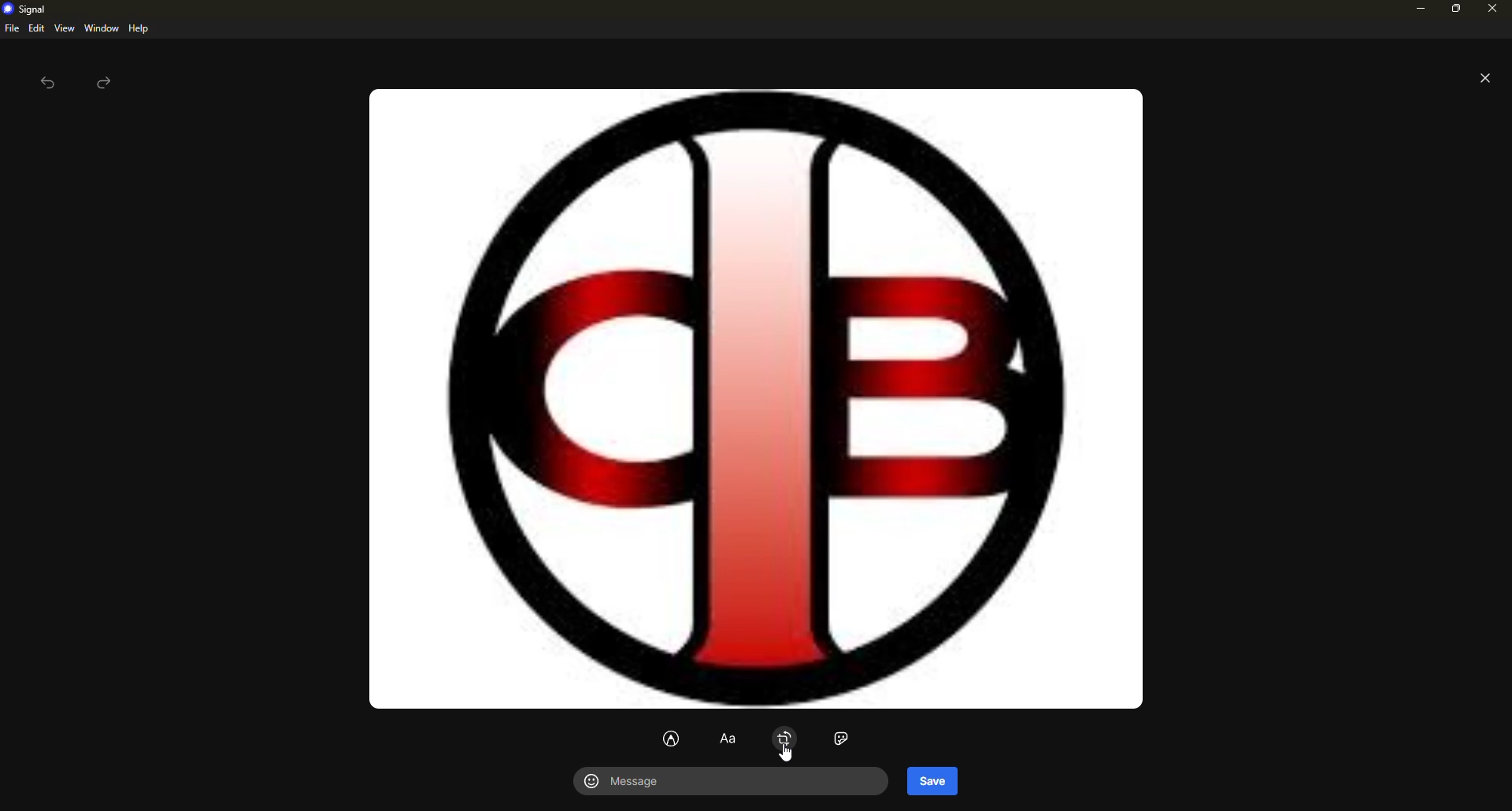 This screenshot has width=1512, height=811. Describe the element at coordinates (48, 83) in the screenshot. I see `back` at that location.